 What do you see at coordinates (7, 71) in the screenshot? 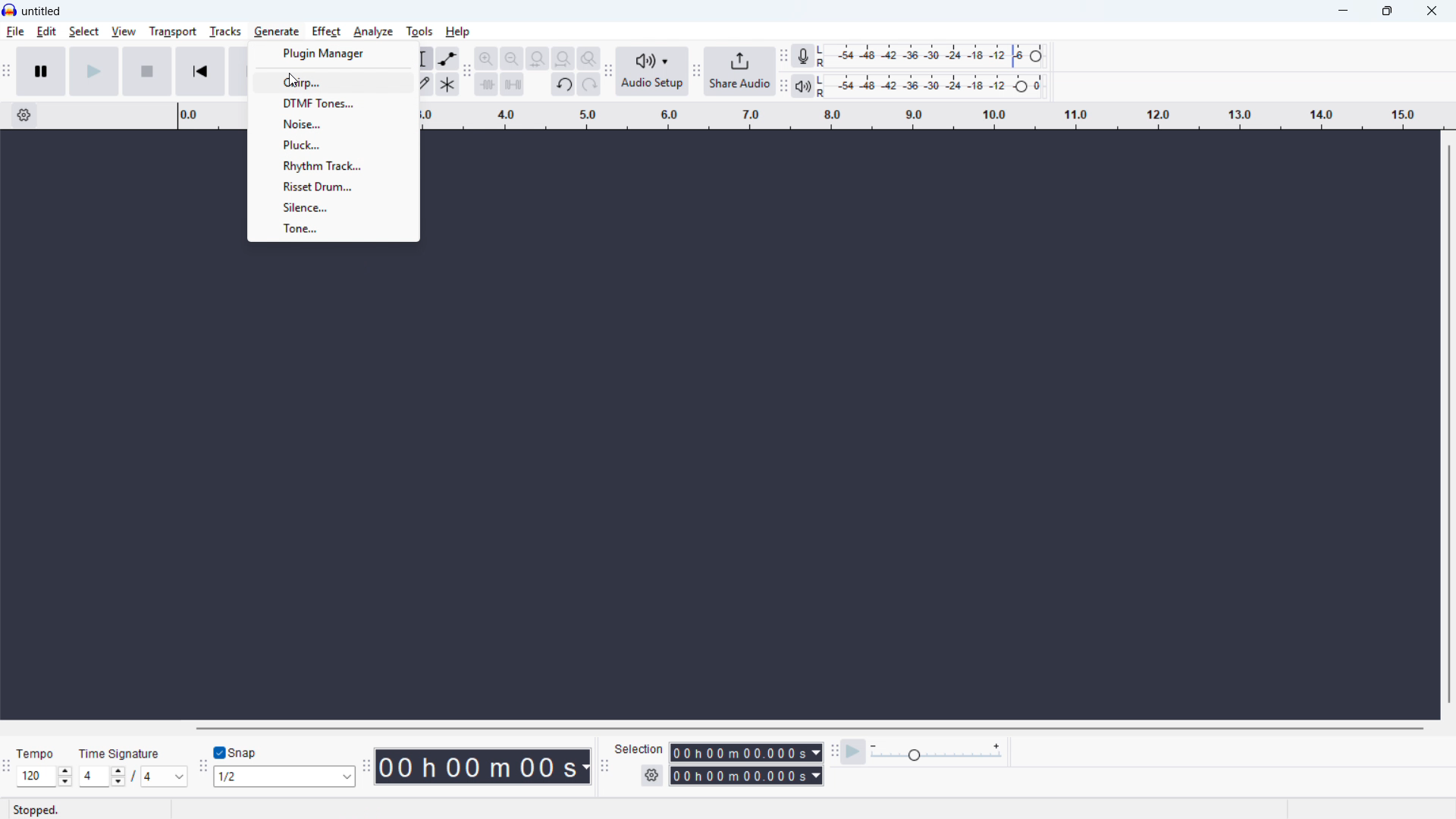
I see `Transport toolbar` at bounding box center [7, 71].